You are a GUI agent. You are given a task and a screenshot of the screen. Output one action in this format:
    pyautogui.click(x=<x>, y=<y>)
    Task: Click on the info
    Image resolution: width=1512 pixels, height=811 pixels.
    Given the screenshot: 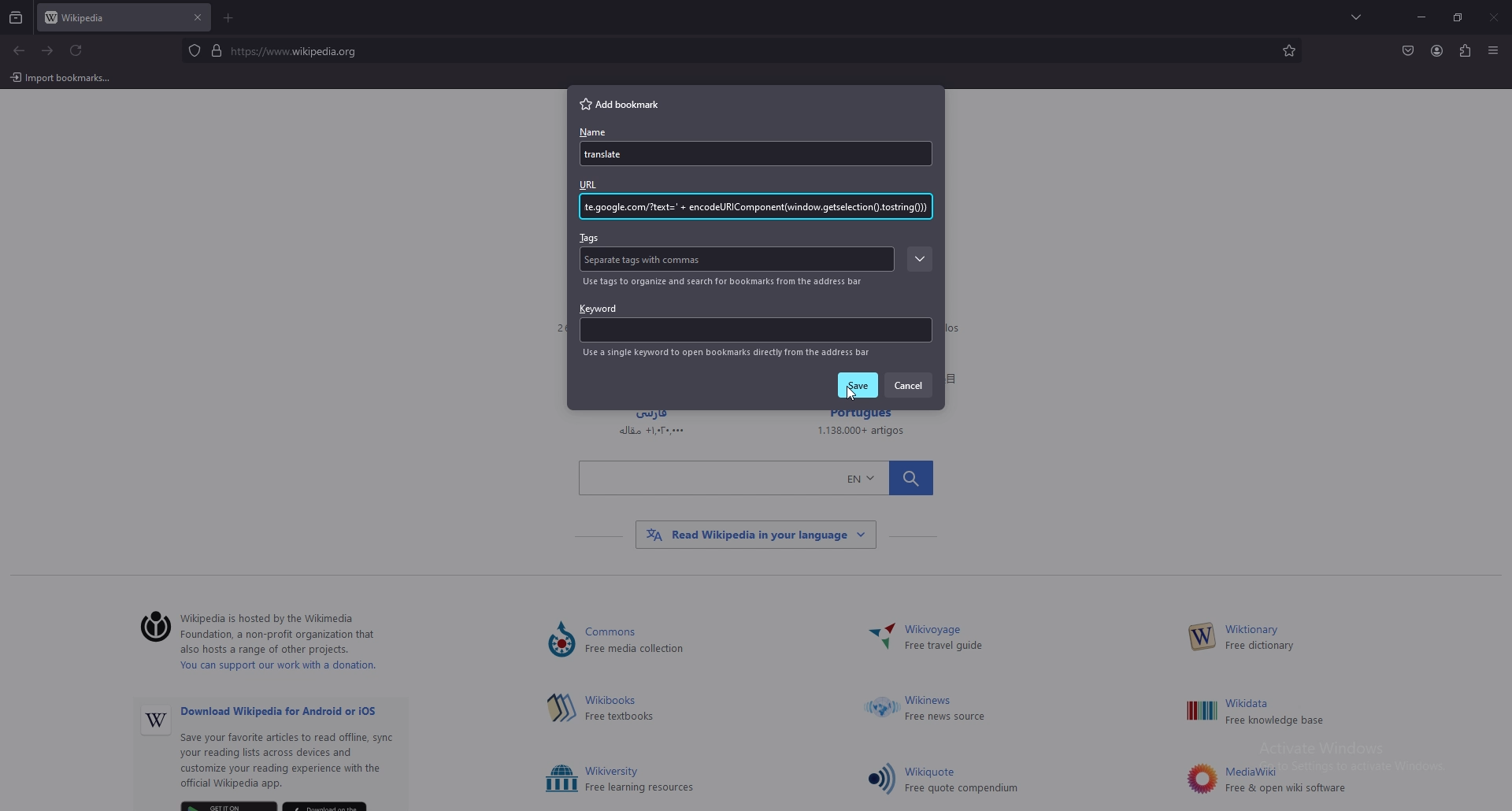 What is the action you would take?
    pyautogui.click(x=727, y=353)
    